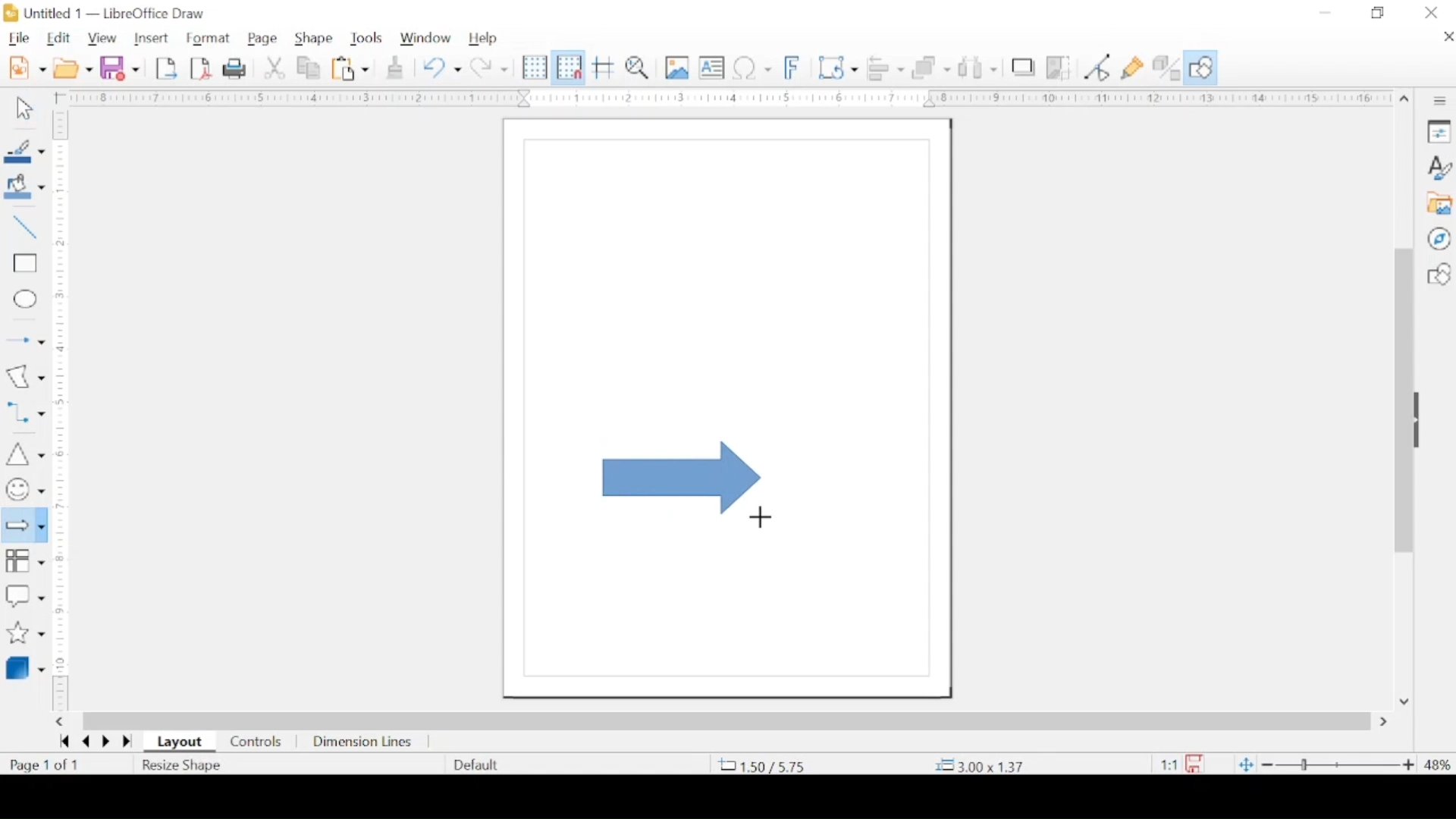  I want to click on close, so click(1432, 13).